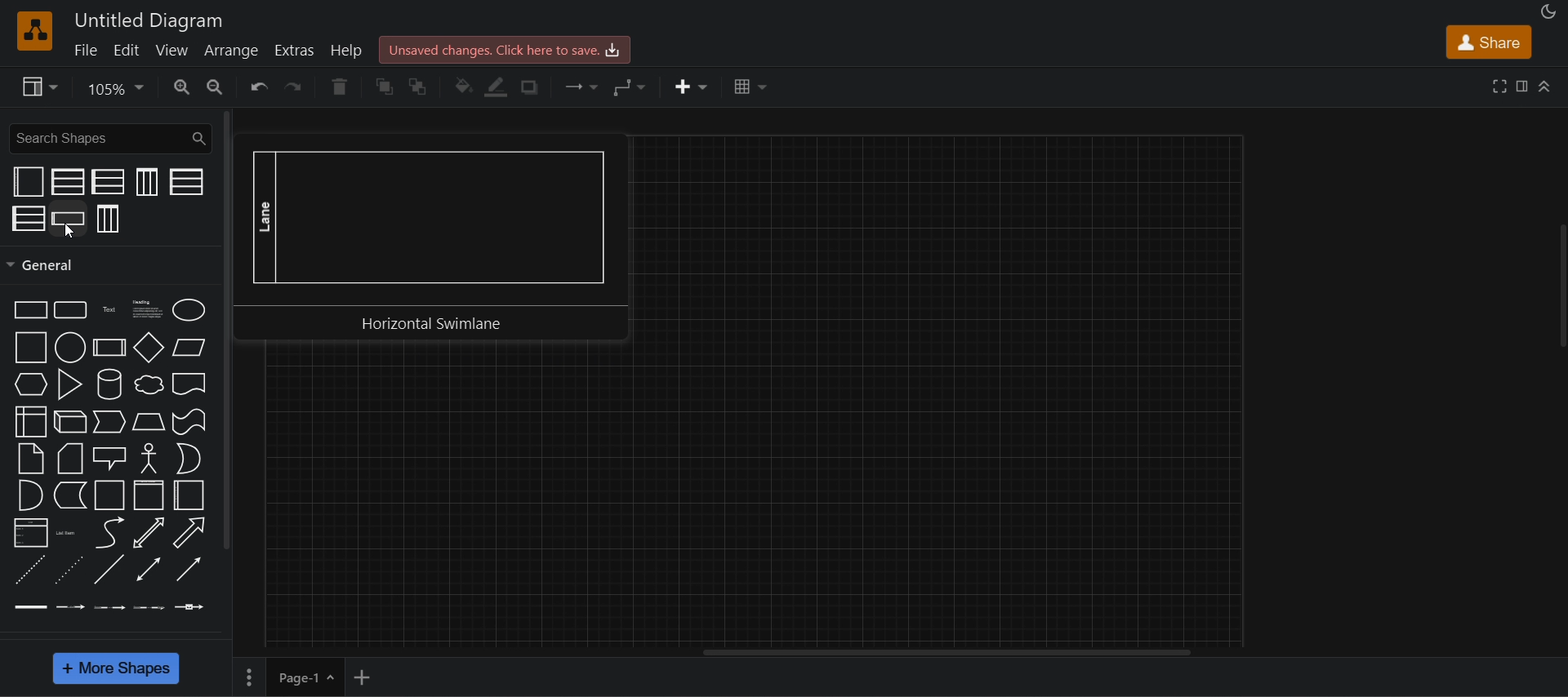 This screenshot has height=697, width=1568. I want to click on ellipse, so click(189, 309).